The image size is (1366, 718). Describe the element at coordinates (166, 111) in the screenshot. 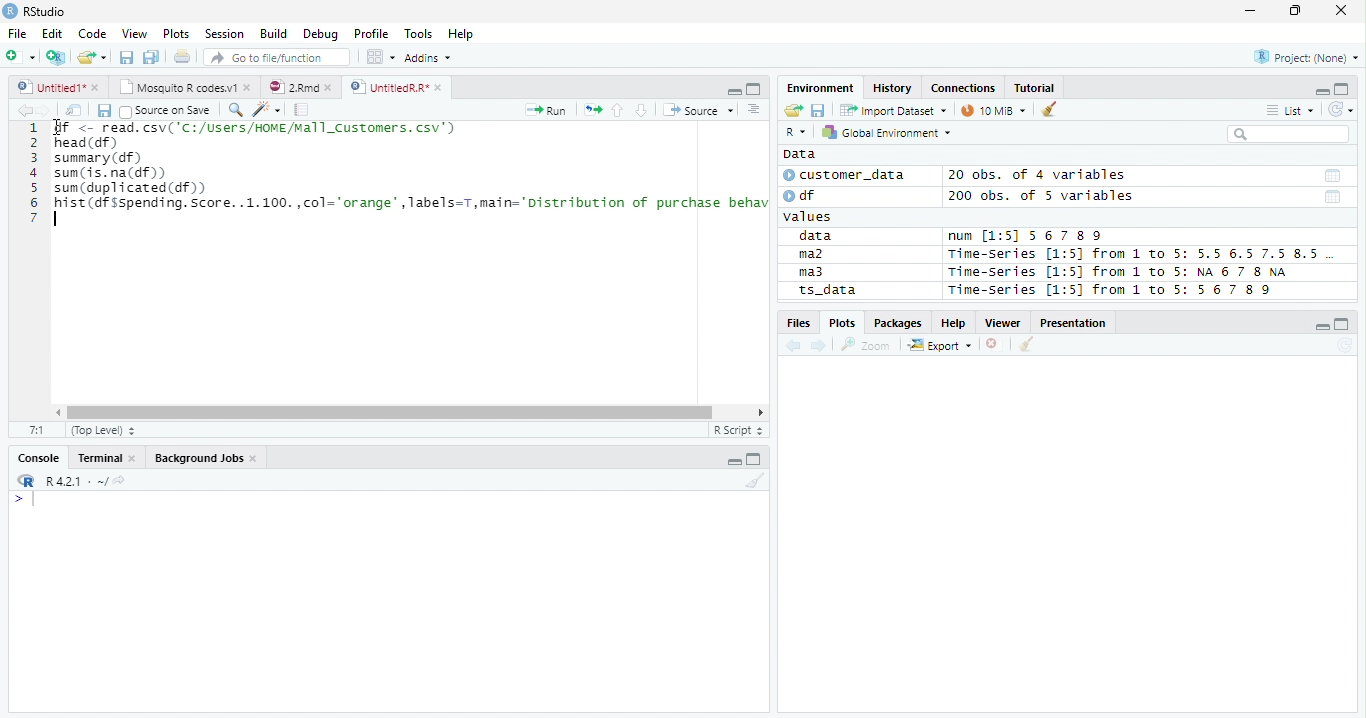

I see `Source on save` at that location.